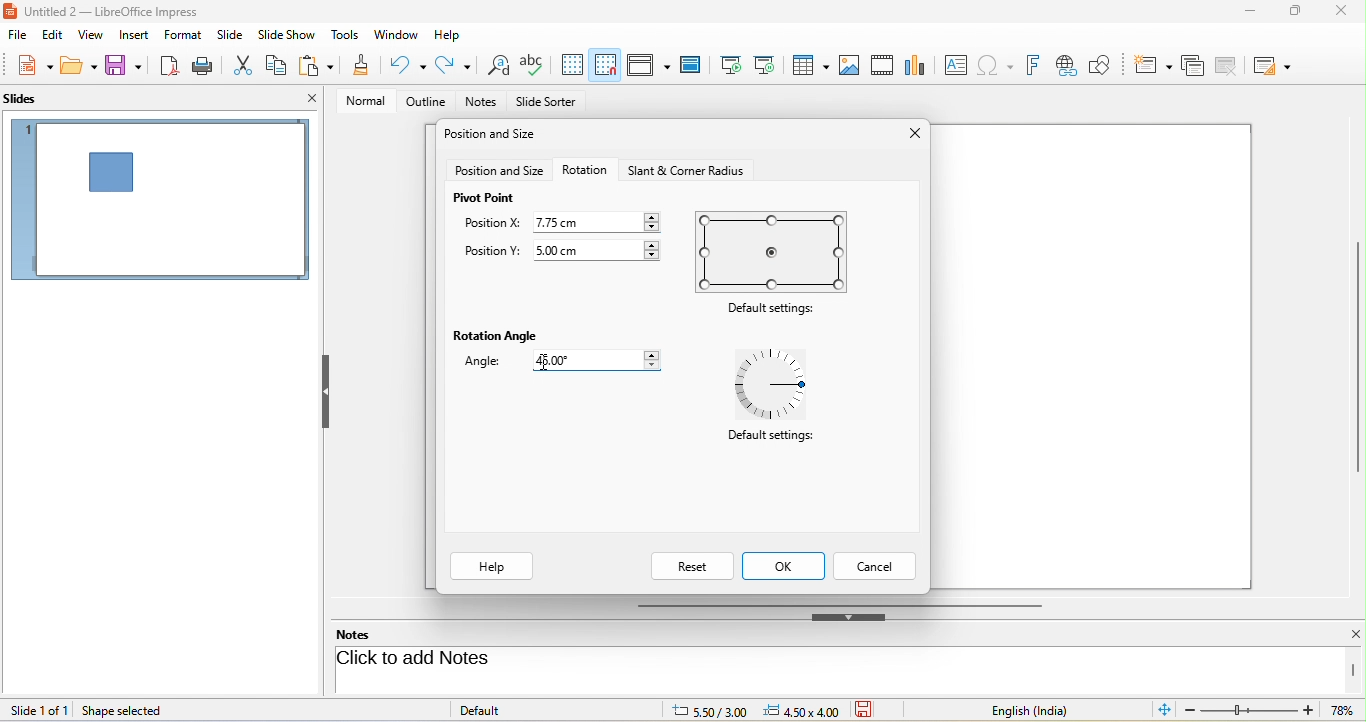  What do you see at coordinates (585, 169) in the screenshot?
I see `rotation` at bounding box center [585, 169].